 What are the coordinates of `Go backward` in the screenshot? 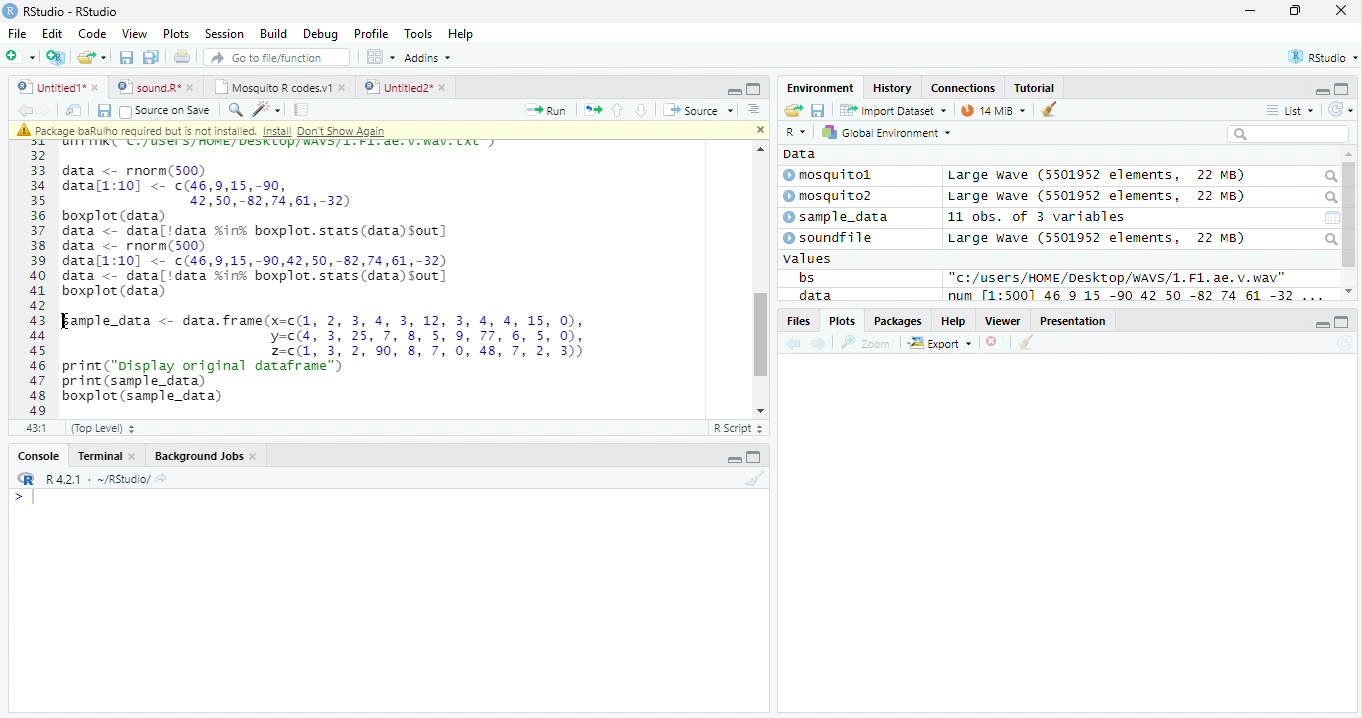 It's located at (794, 345).